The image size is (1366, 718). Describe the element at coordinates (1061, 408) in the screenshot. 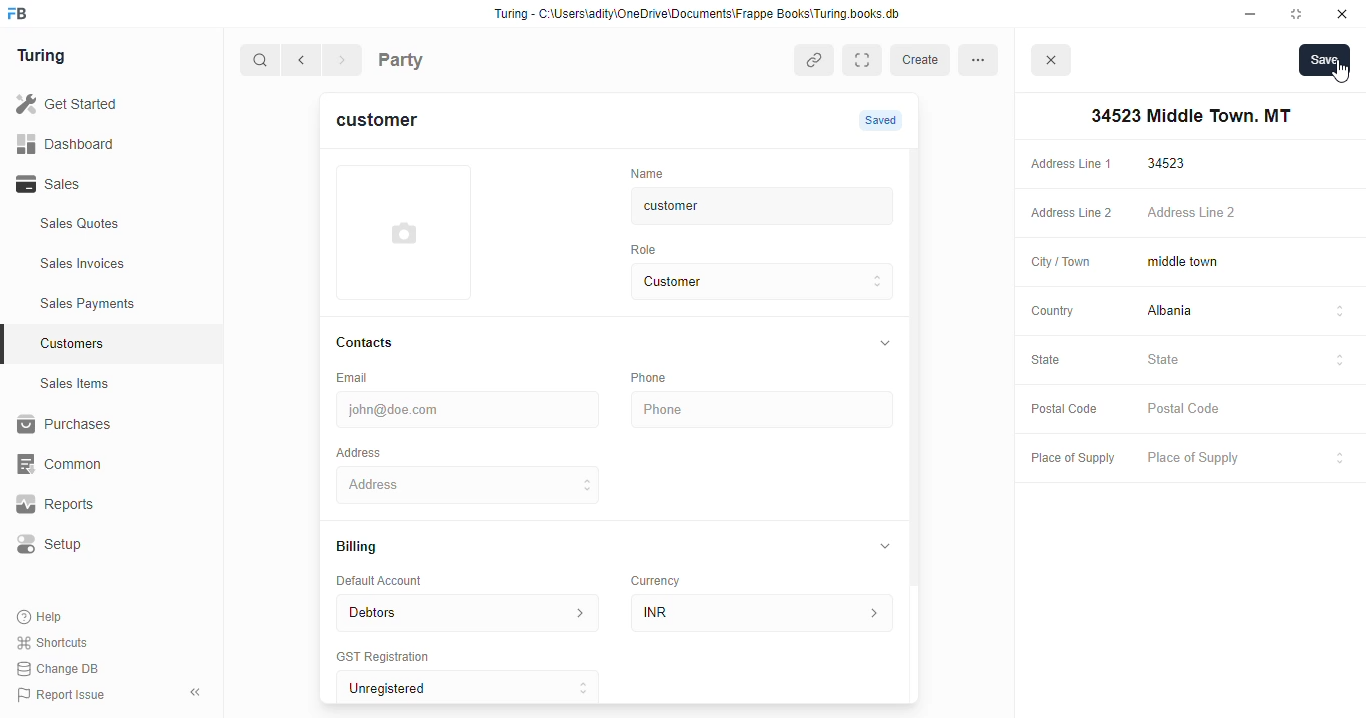

I see `Postal Code` at that location.